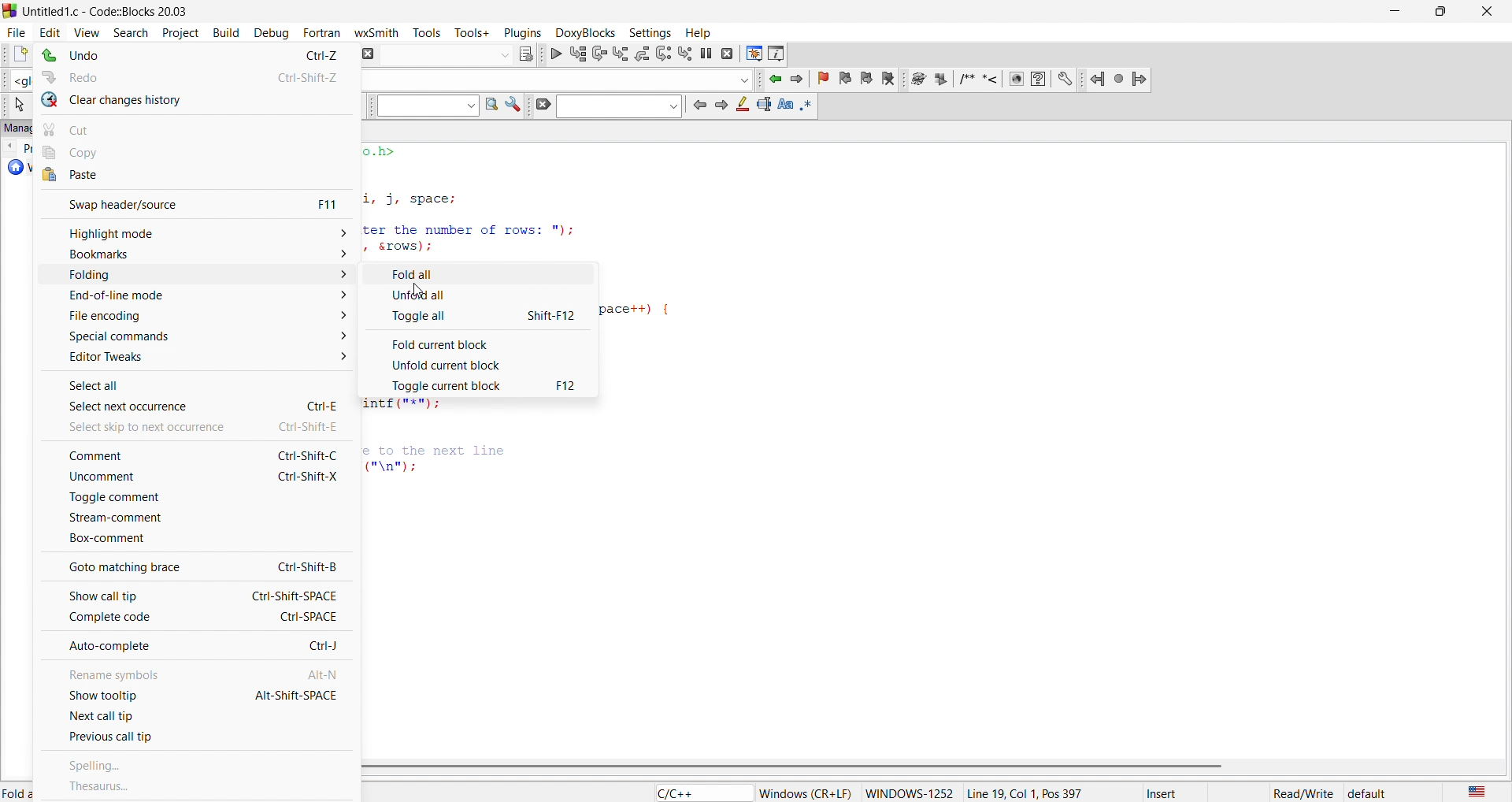 The width and height of the screenshot is (1512, 802). What do you see at coordinates (480, 341) in the screenshot?
I see `fold current block` at bounding box center [480, 341].